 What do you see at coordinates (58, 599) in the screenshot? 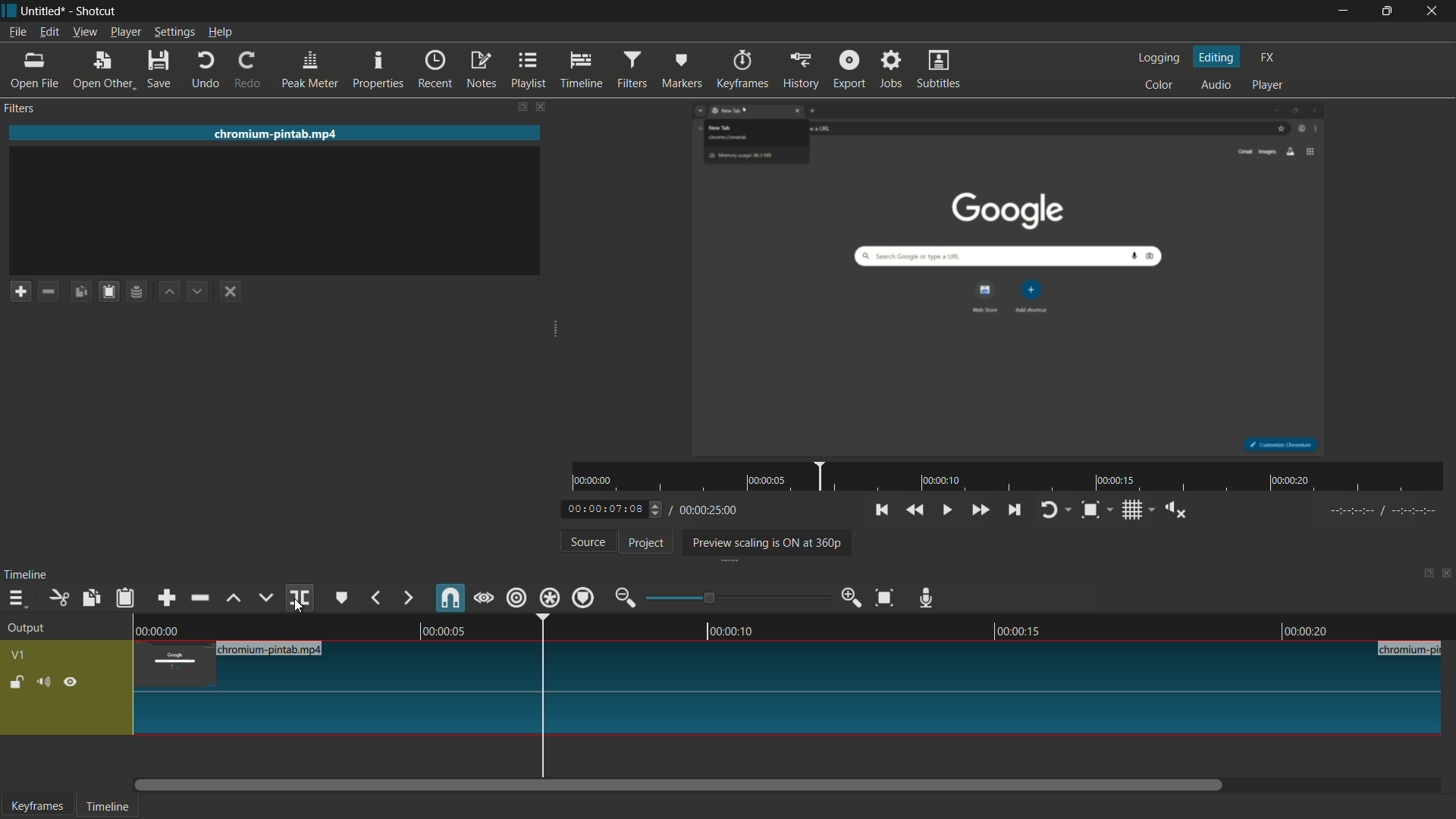
I see `cut` at bounding box center [58, 599].